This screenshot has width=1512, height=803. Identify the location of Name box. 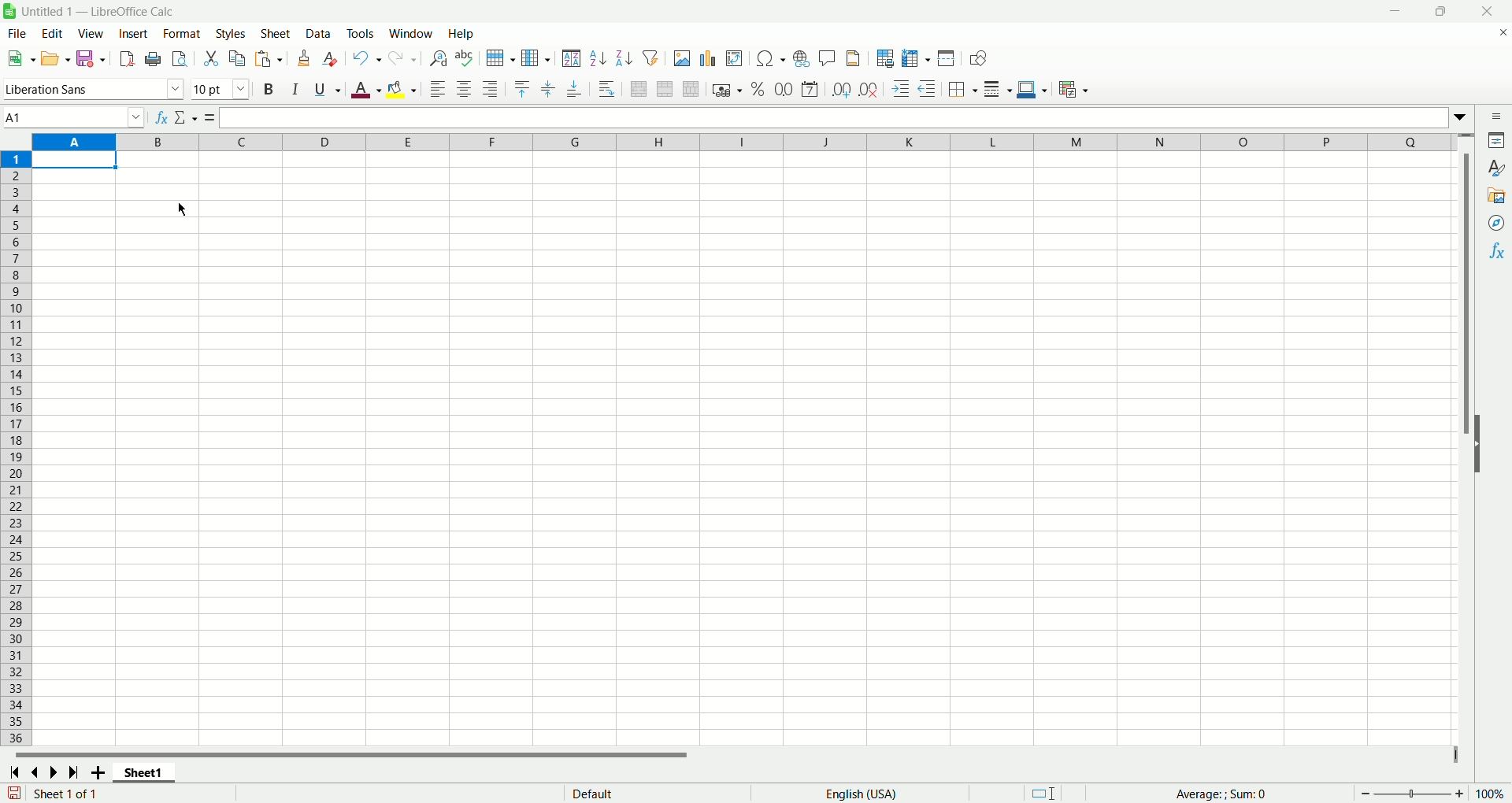
(74, 116).